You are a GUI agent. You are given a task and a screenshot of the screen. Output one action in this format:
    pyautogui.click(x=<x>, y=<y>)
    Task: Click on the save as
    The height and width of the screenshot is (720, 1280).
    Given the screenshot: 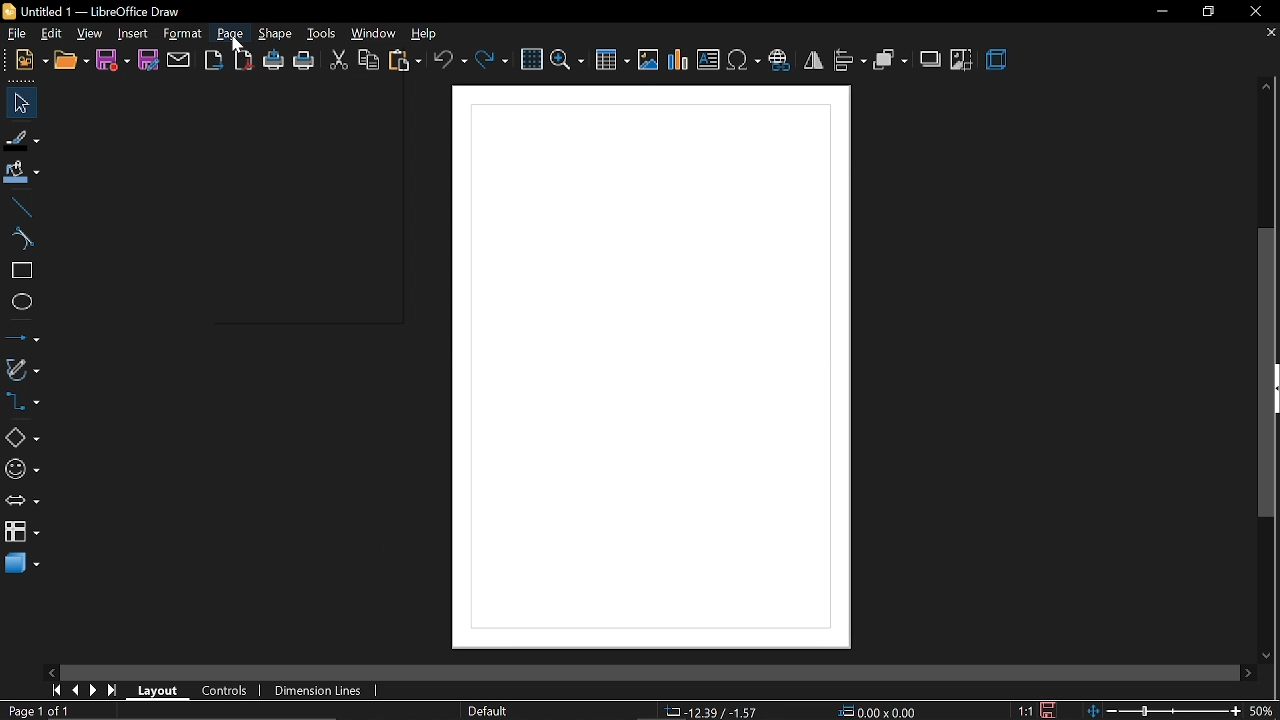 What is the action you would take?
    pyautogui.click(x=150, y=59)
    